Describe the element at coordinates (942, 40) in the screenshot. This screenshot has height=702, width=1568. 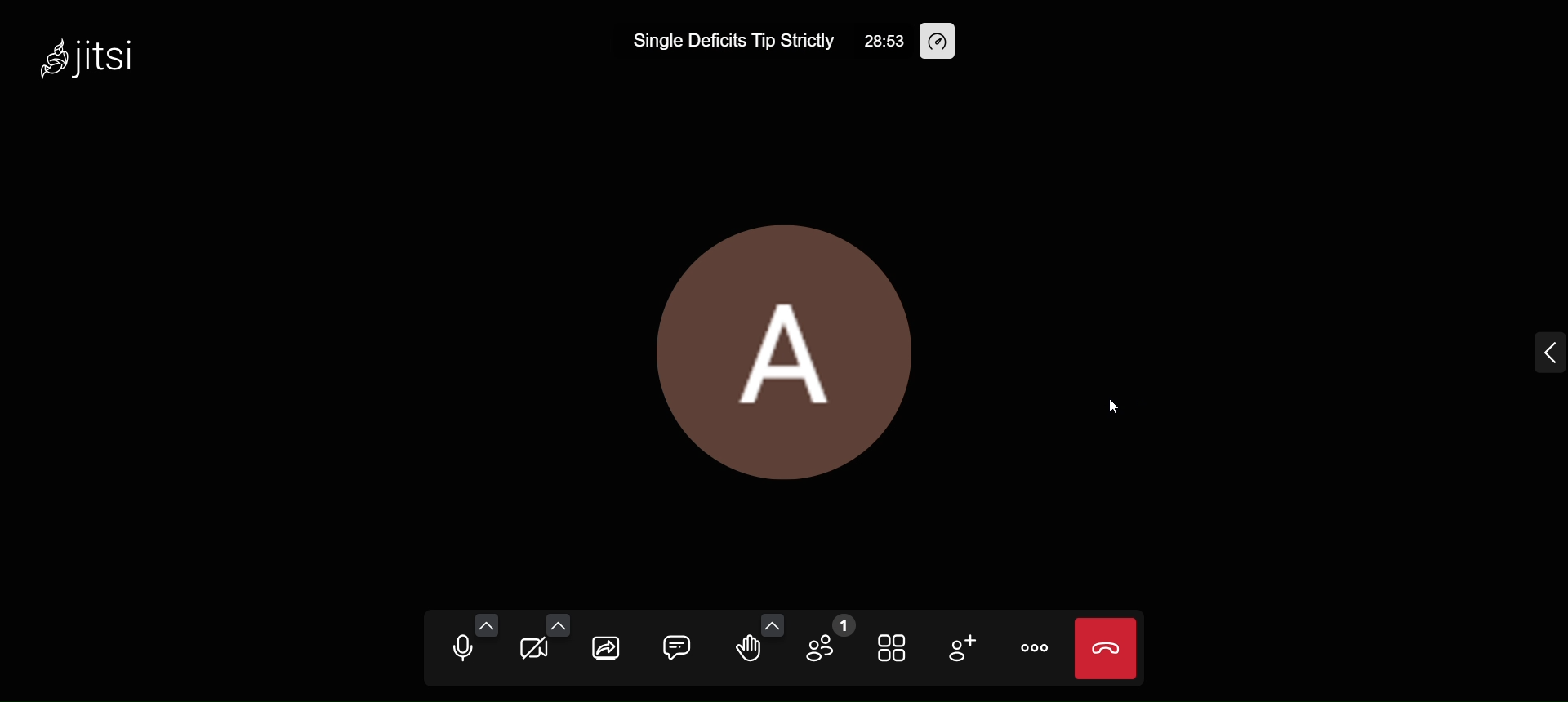
I see `performance setting` at that location.